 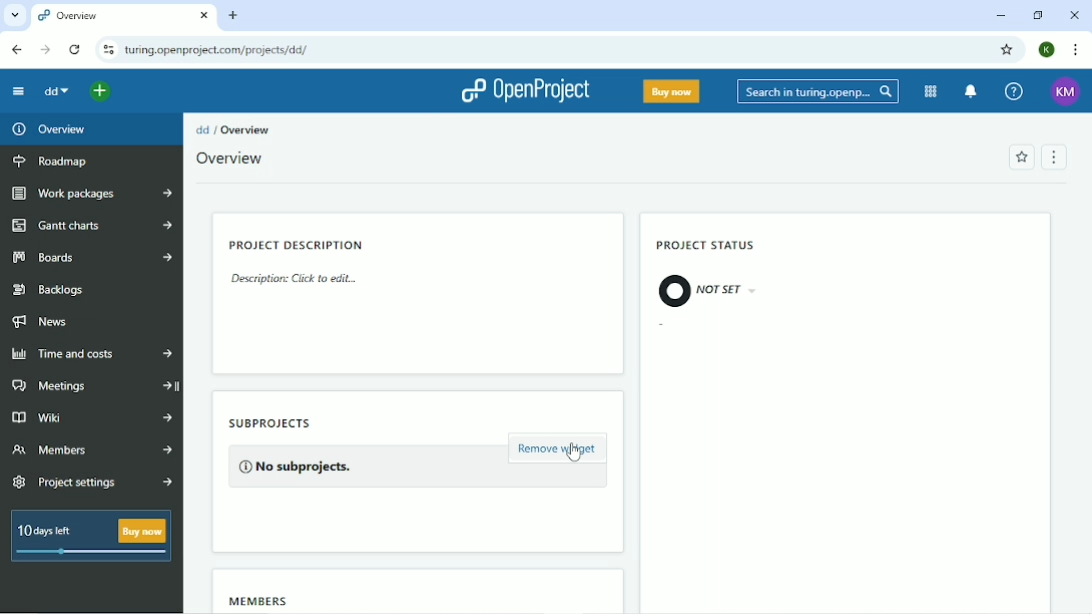 What do you see at coordinates (101, 91) in the screenshot?
I see `Open quick add menu` at bounding box center [101, 91].